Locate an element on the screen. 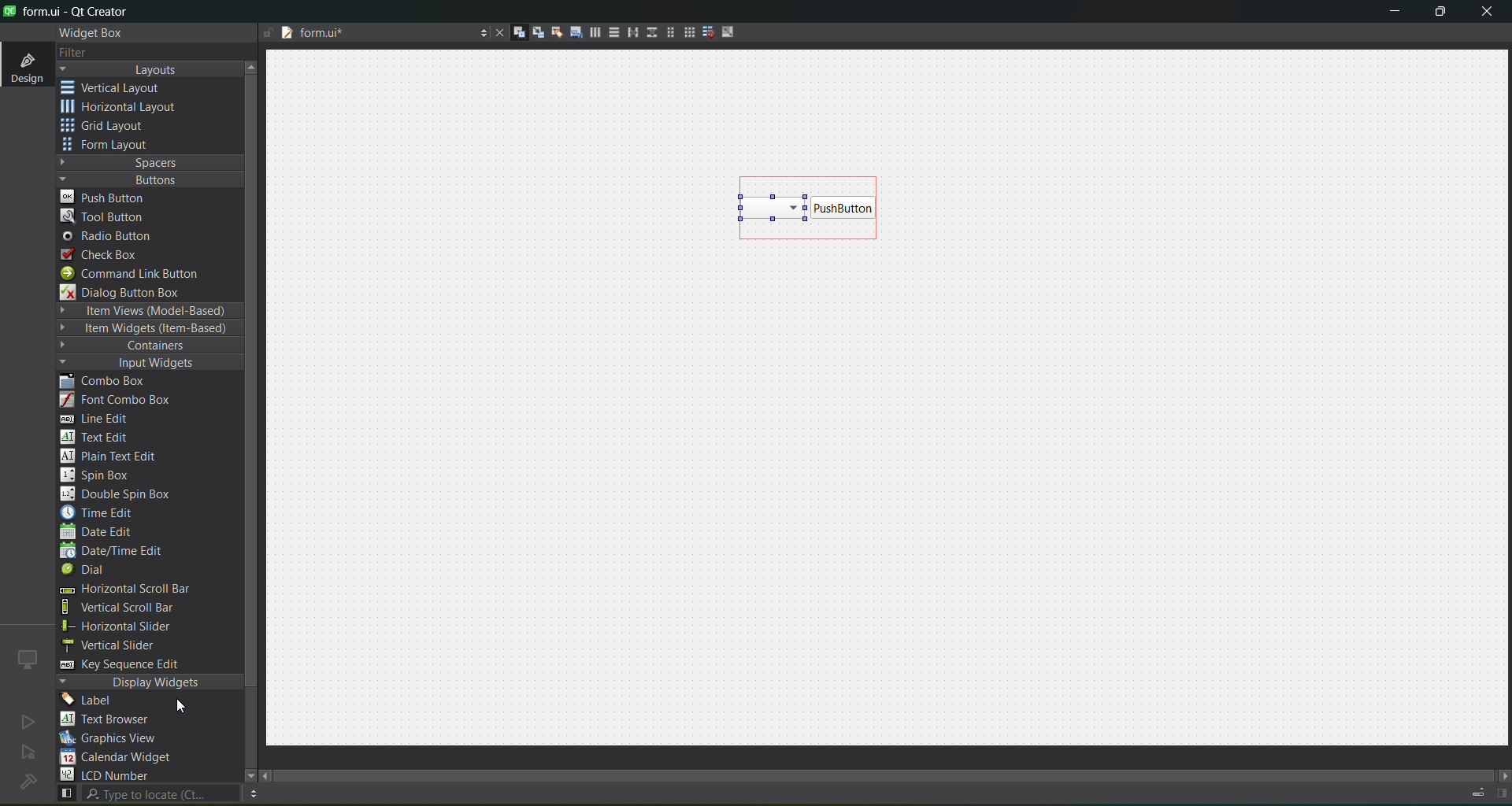  vertical splitter is located at coordinates (650, 35).